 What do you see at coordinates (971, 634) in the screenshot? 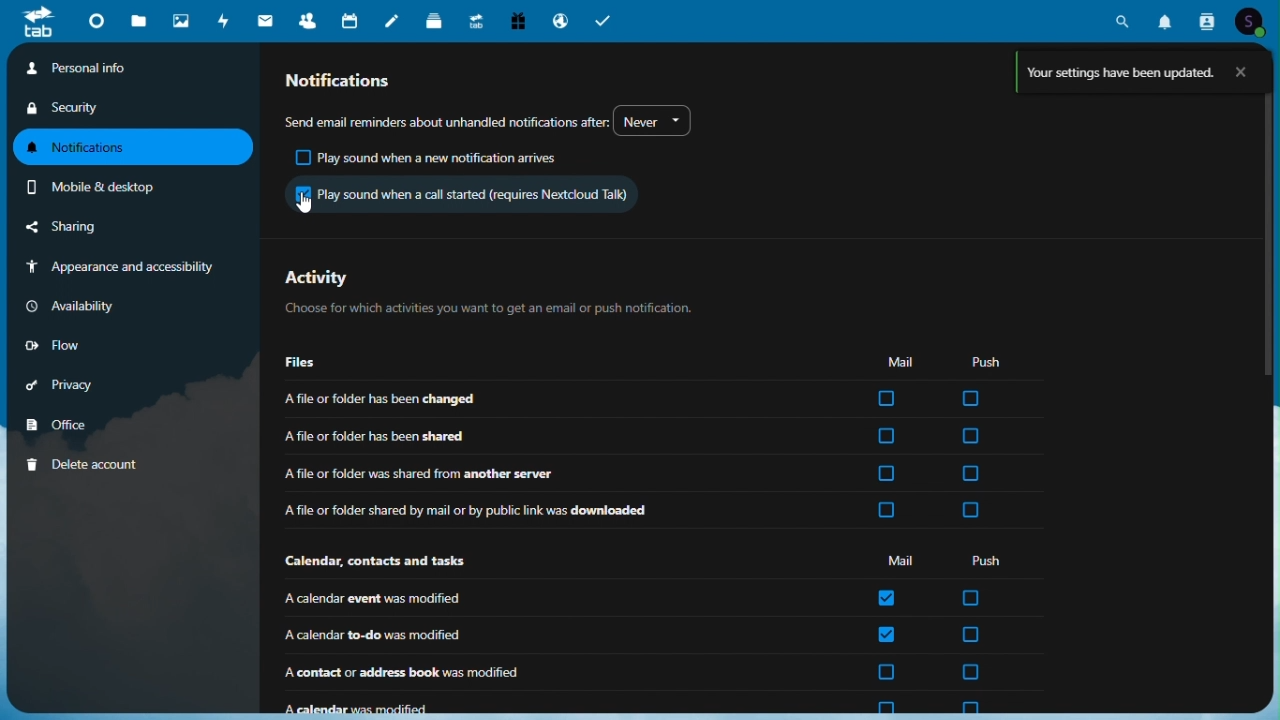
I see `check box` at bounding box center [971, 634].